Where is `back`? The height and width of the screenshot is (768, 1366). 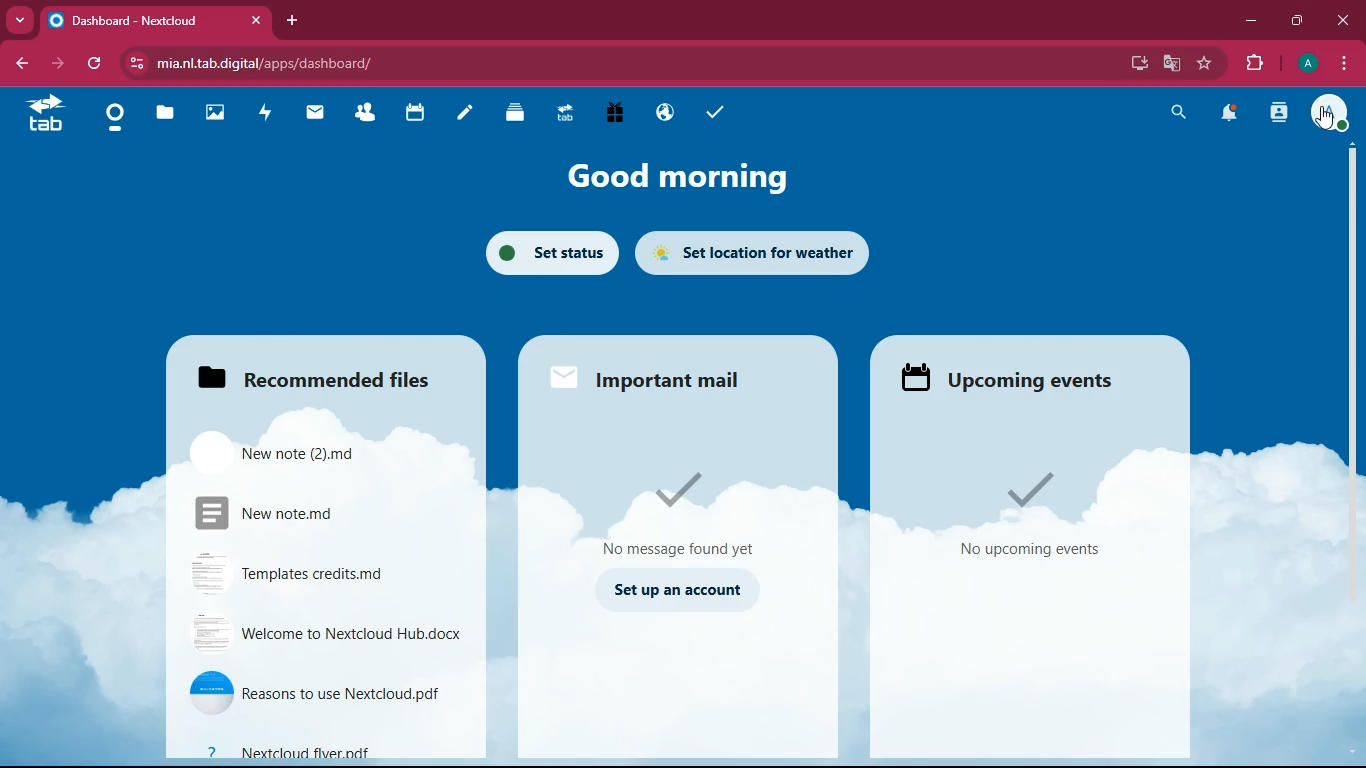
back is located at coordinates (22, 64).